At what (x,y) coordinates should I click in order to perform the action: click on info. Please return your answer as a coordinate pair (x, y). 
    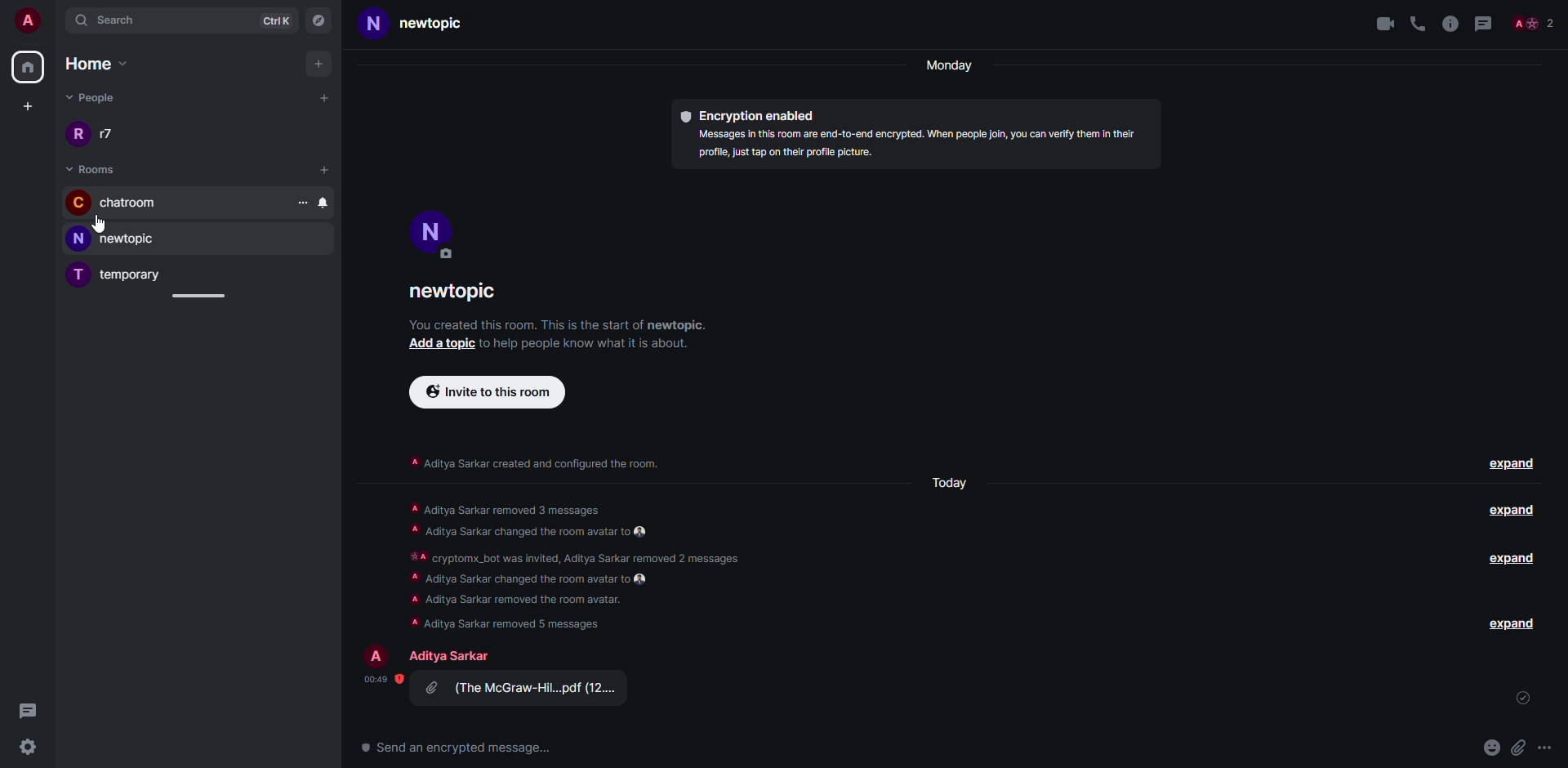
    Looking at the image, I should click on (1450, 23).